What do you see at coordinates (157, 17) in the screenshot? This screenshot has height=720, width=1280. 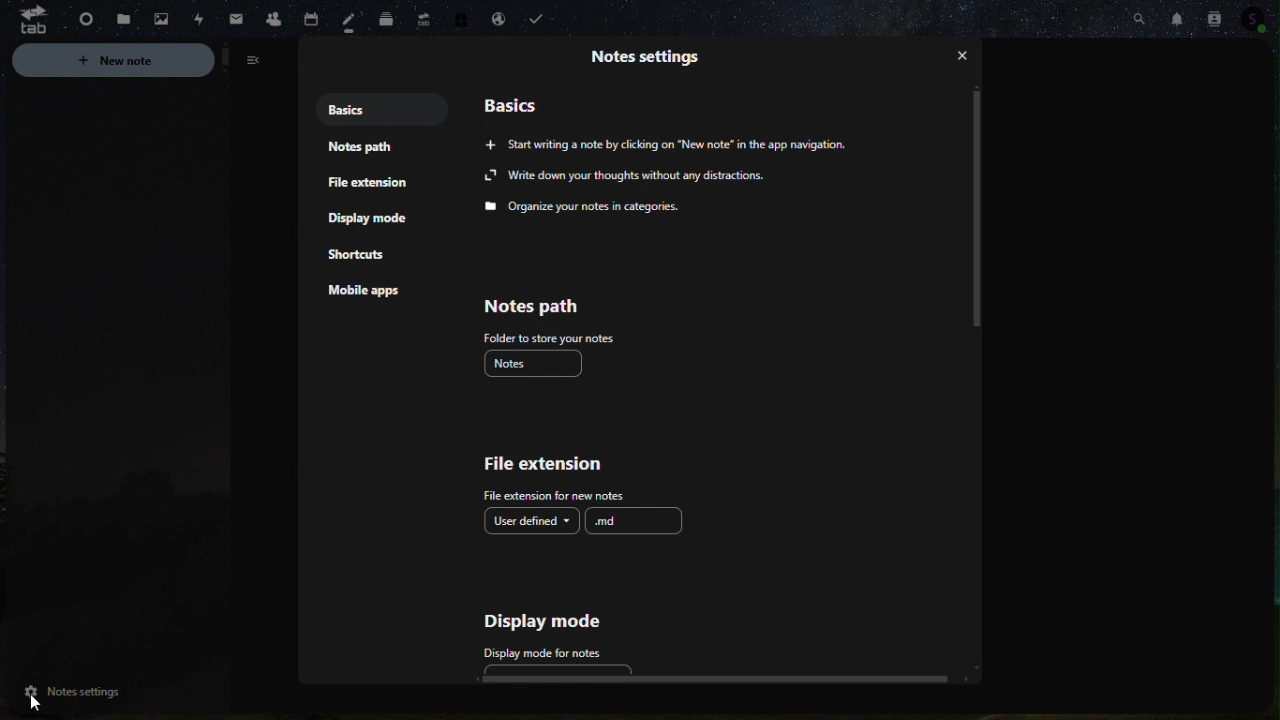 I see `pictures ` at bounding box center [157, 17].